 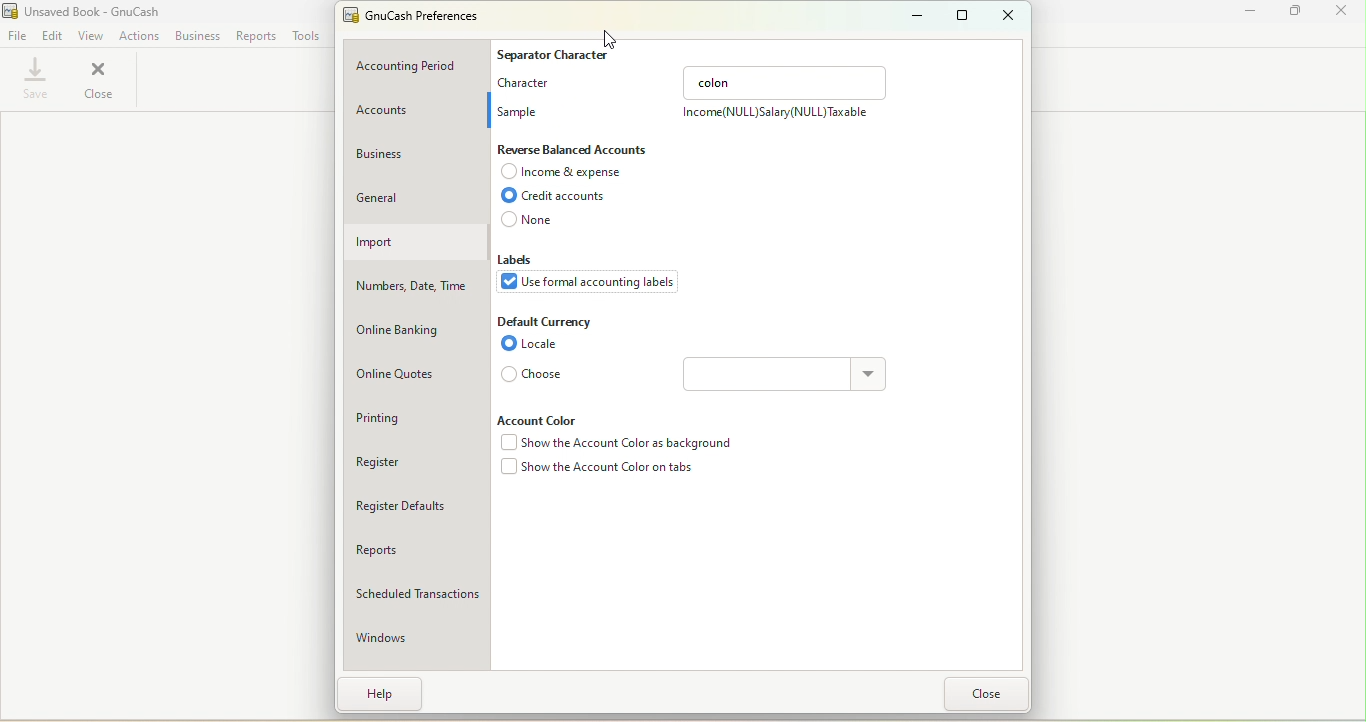 What do you see at coordinates (34, 80) in the screenshot?
I see `Save` at bounding box center [34, 80].